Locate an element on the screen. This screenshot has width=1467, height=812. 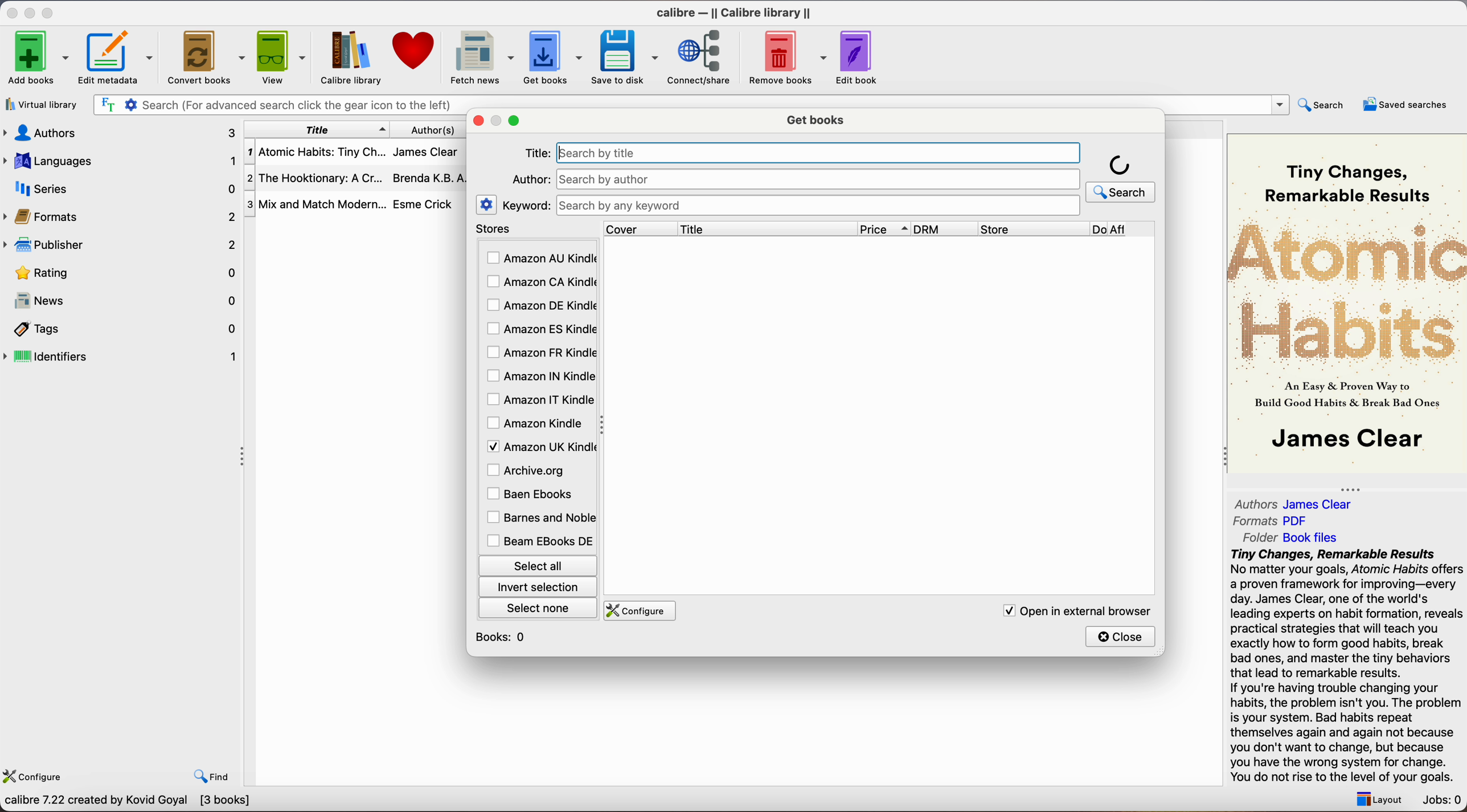
The Hooktionary: A Cr... is located at coordinates (315, 180).